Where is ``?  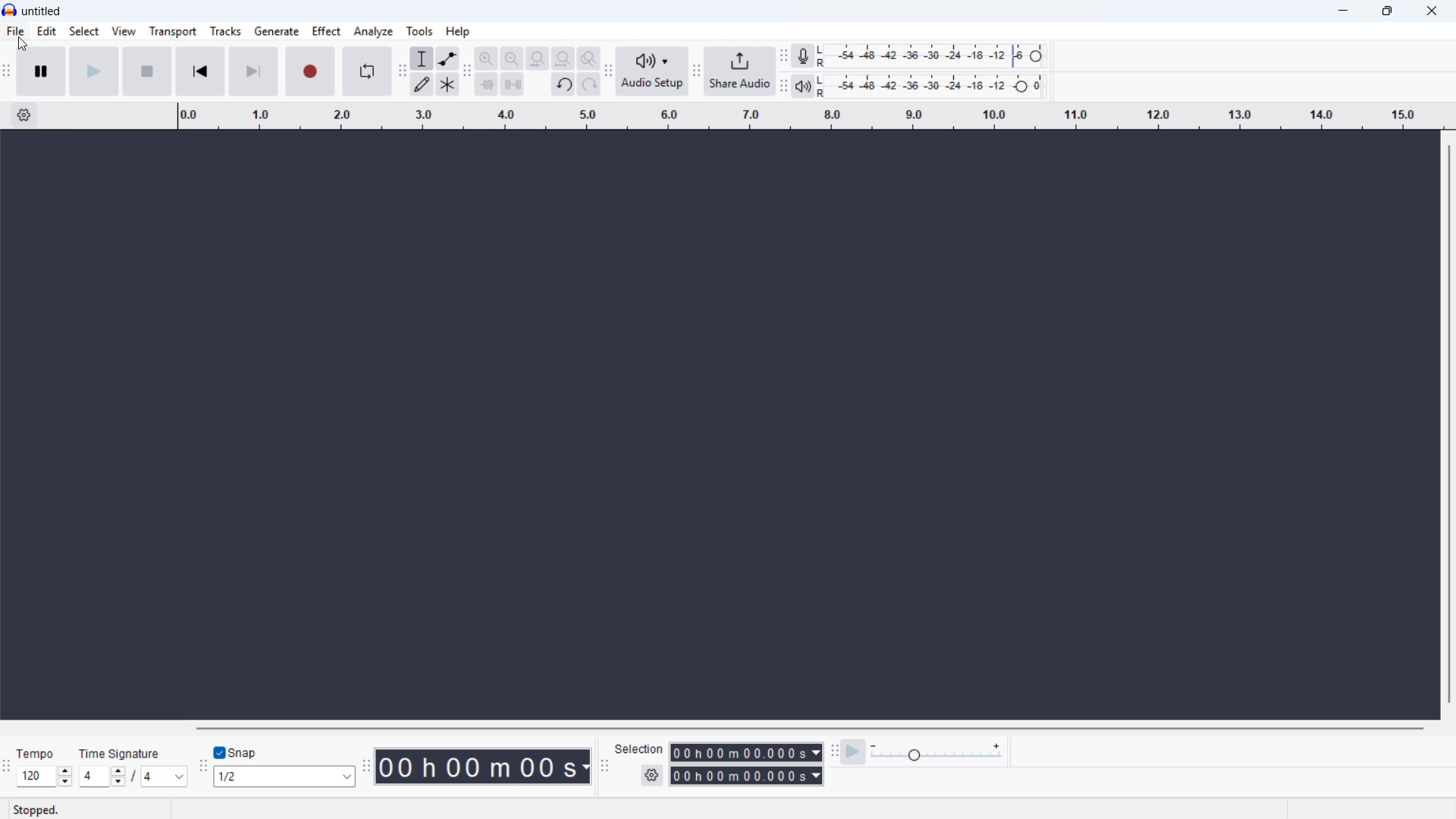
 is located at coordinates (563, 59).